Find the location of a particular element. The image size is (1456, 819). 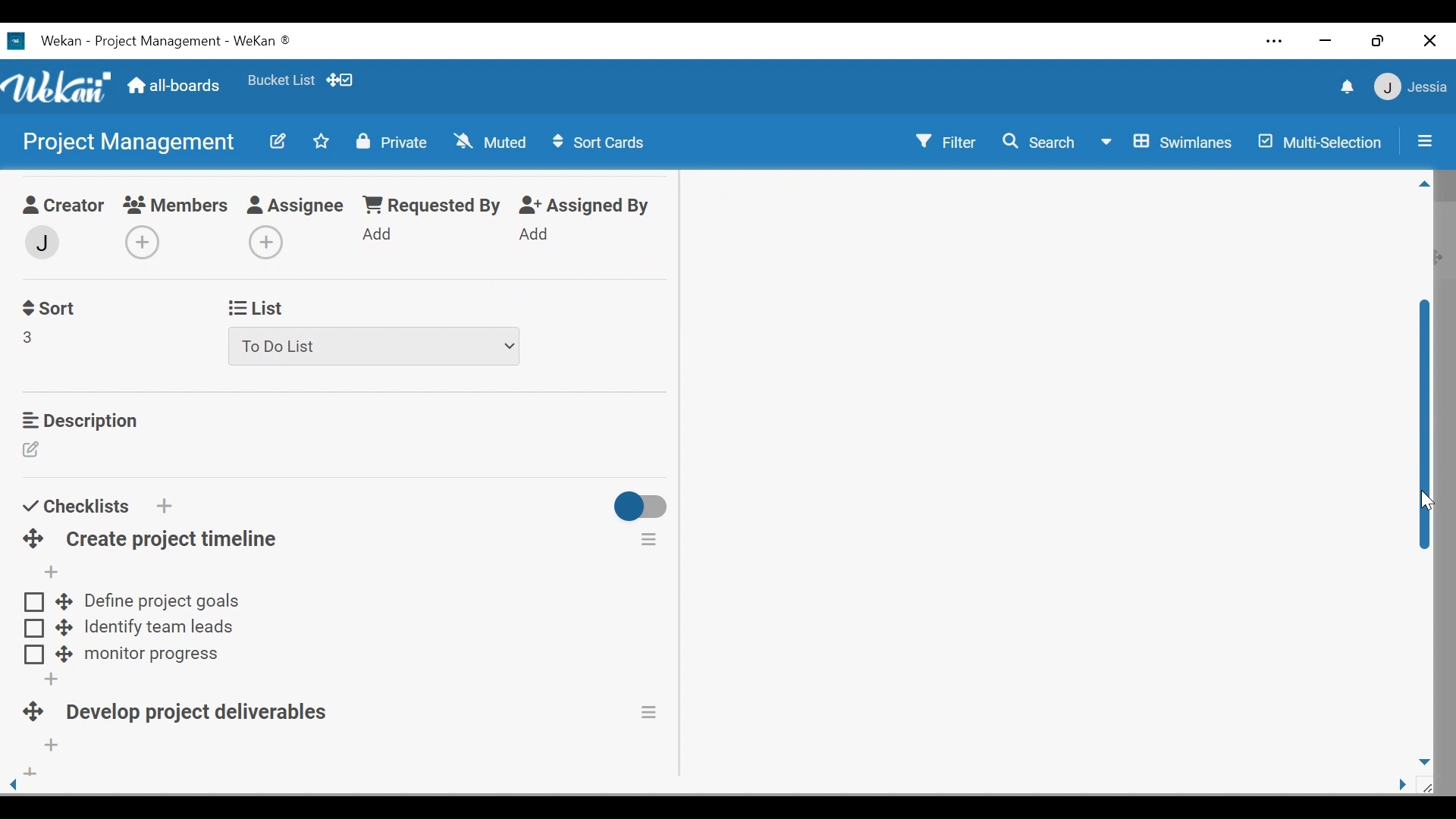

Checklist items is located at coordinates (163, 601).